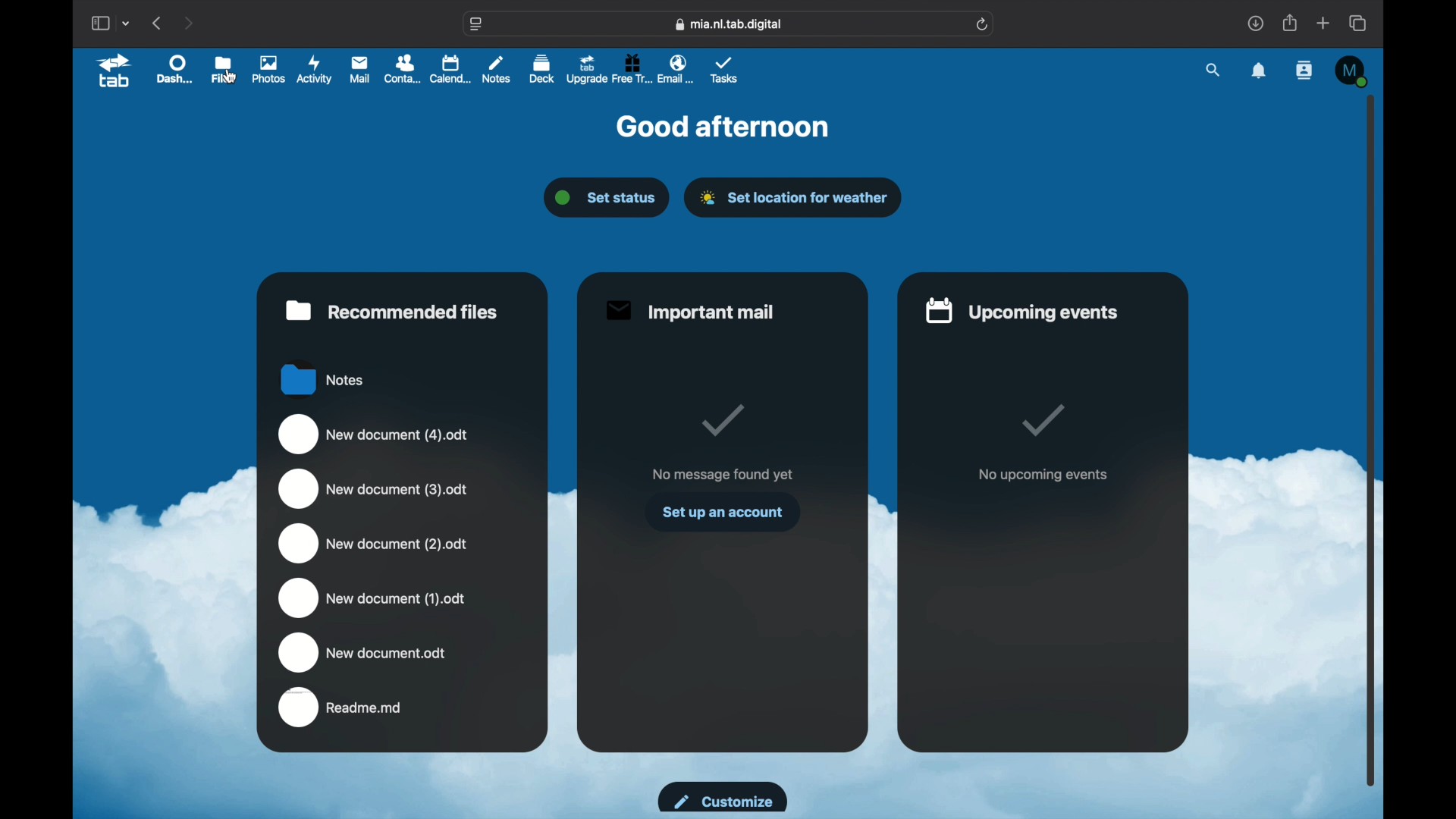  What do you see at coordinates (313, 68) in the screenshot?
I see `activity` at bounding box center [313, 68].